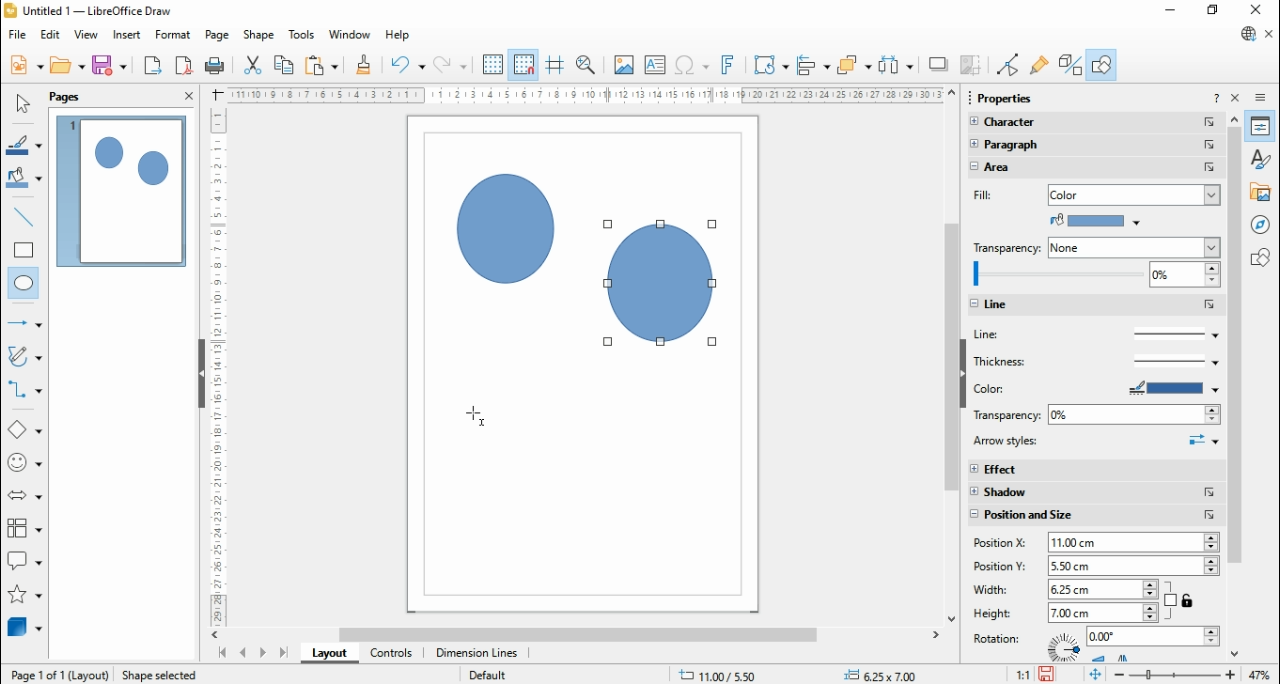 Image resolution: width=1280 pixels, height=684 pixels. Describe the element at coordinates (1134, 415) in the screenshot. I see `0%` at that location.